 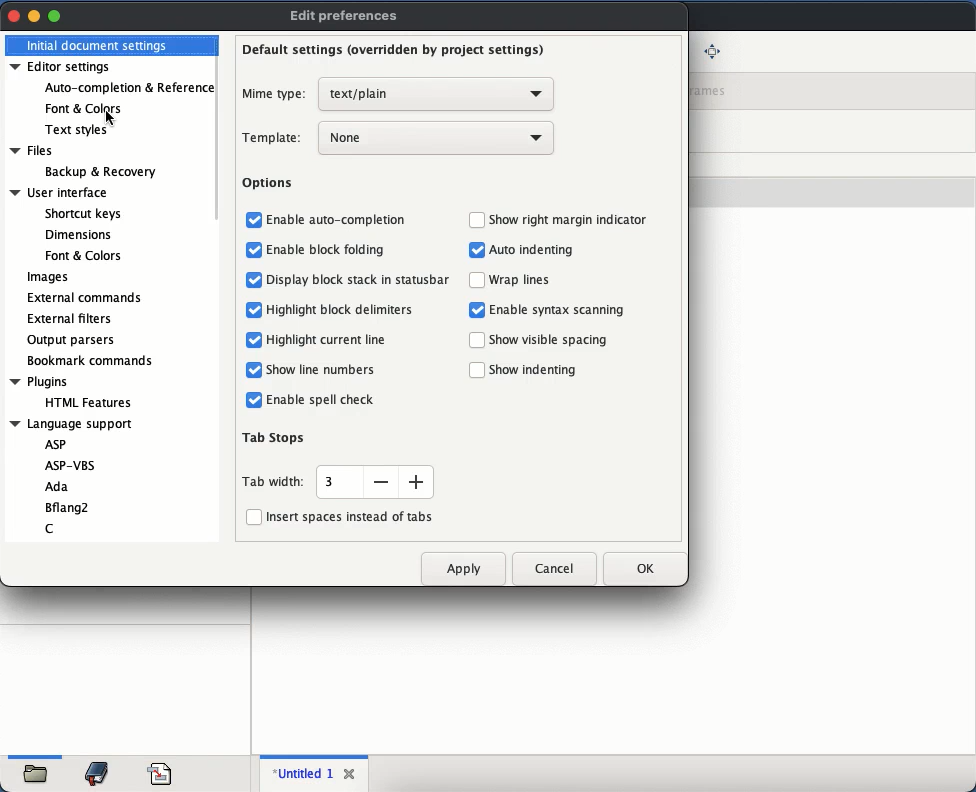 I want to click on Files, so click(x=32, y=150).